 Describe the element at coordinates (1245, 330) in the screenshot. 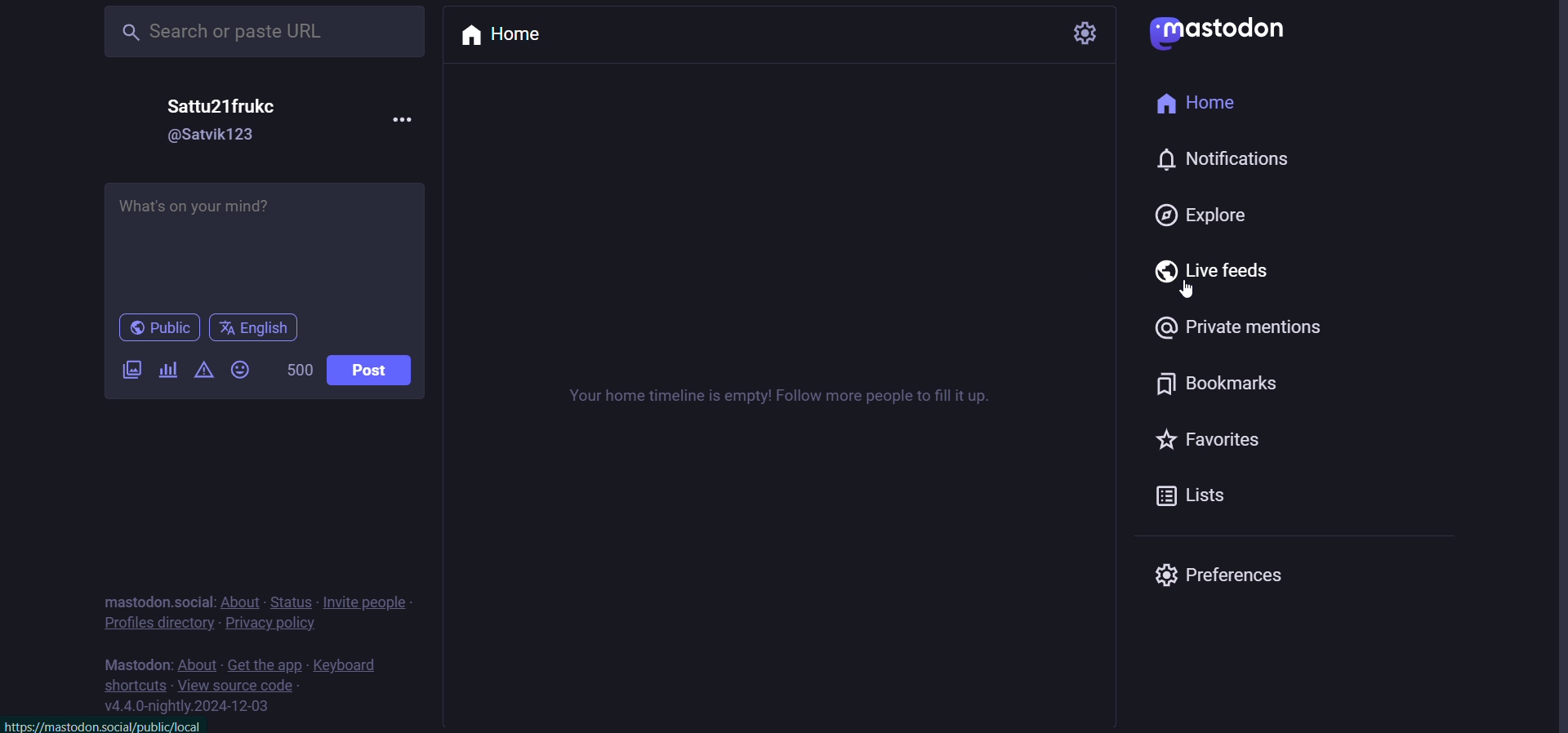

I see `private mention` at that location.